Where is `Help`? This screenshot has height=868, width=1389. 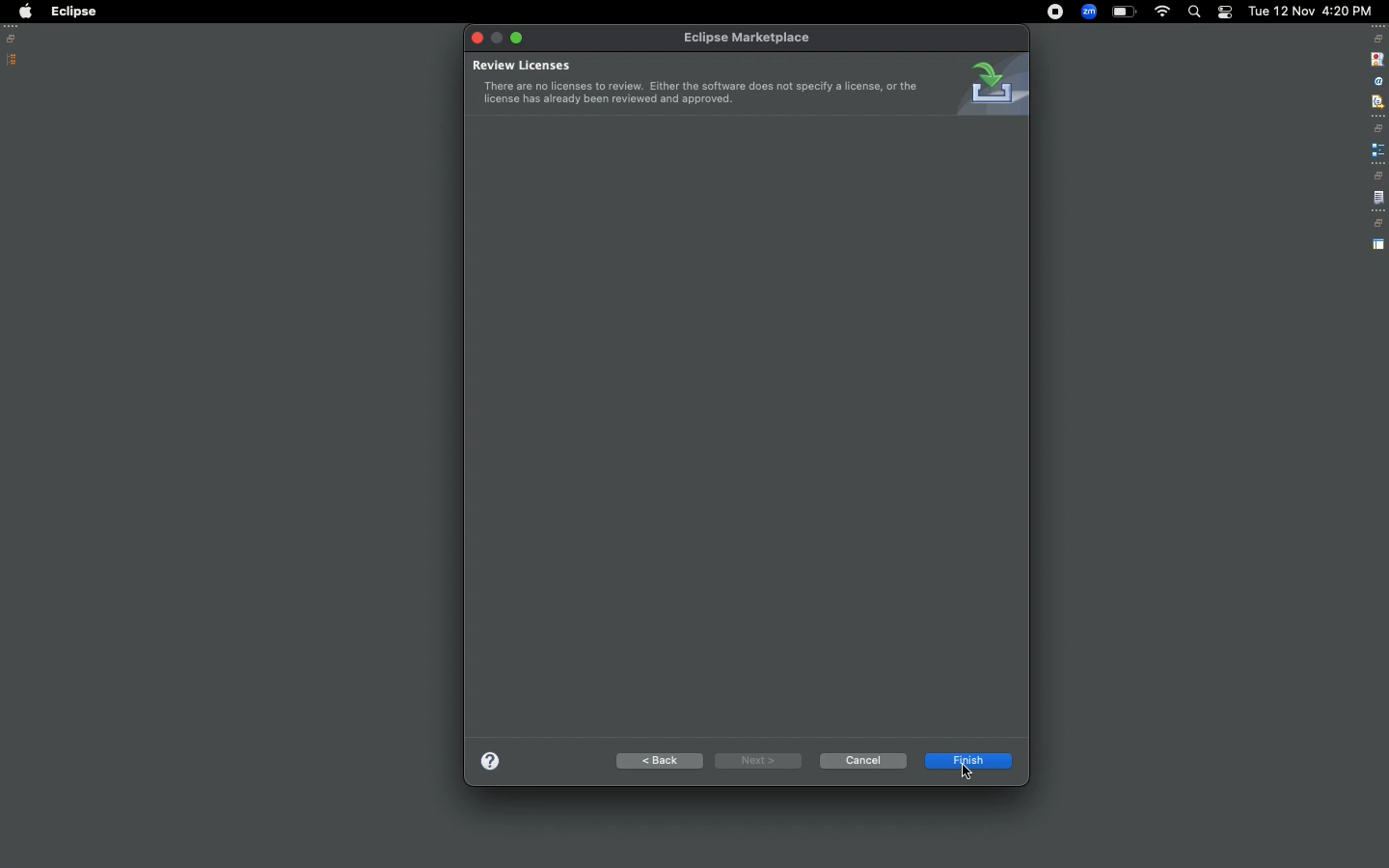 Help is located at coordinates (488, 760).